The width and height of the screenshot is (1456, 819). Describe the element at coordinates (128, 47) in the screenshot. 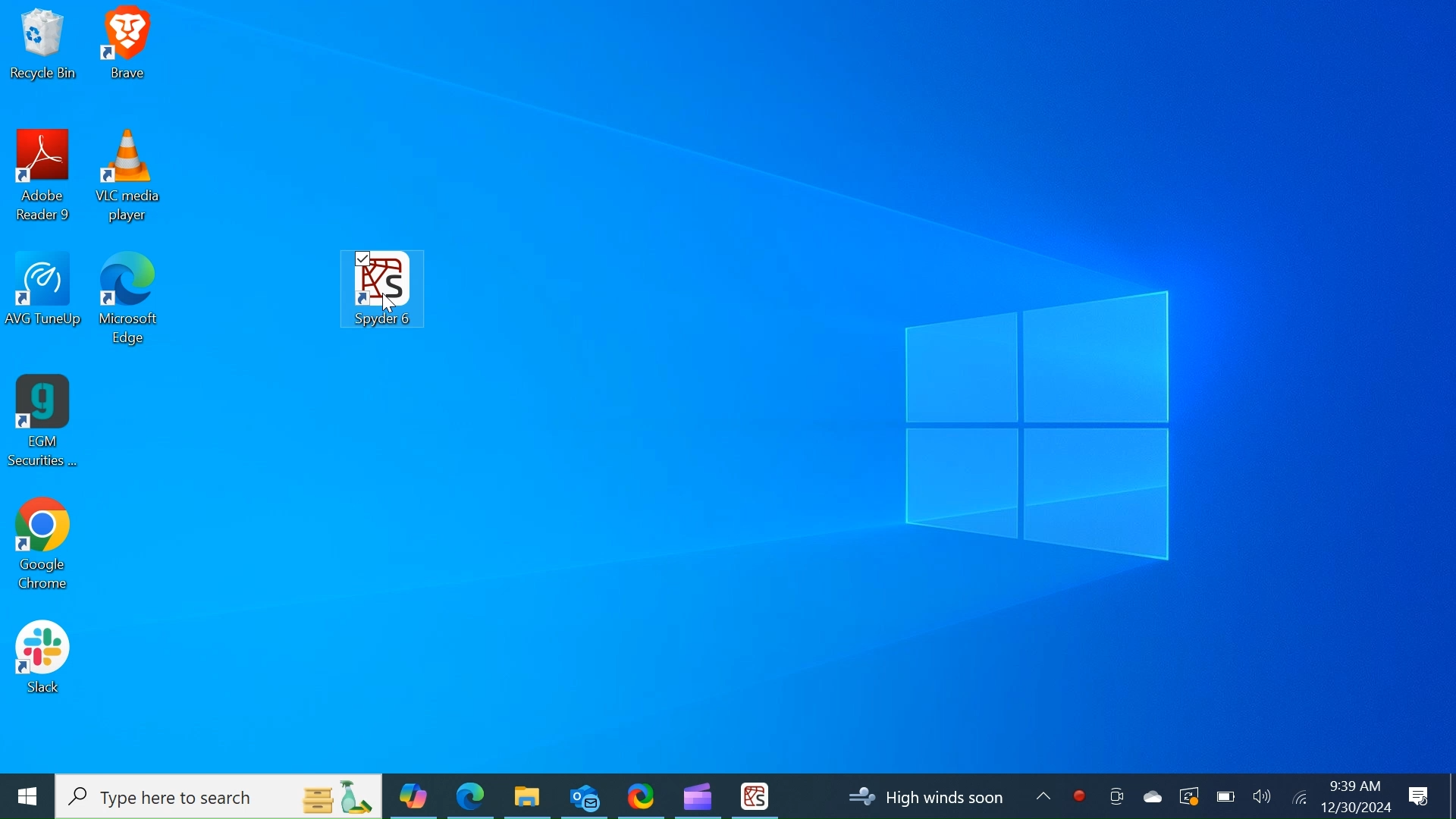

I see `Brave Desktop Icon` at that location.